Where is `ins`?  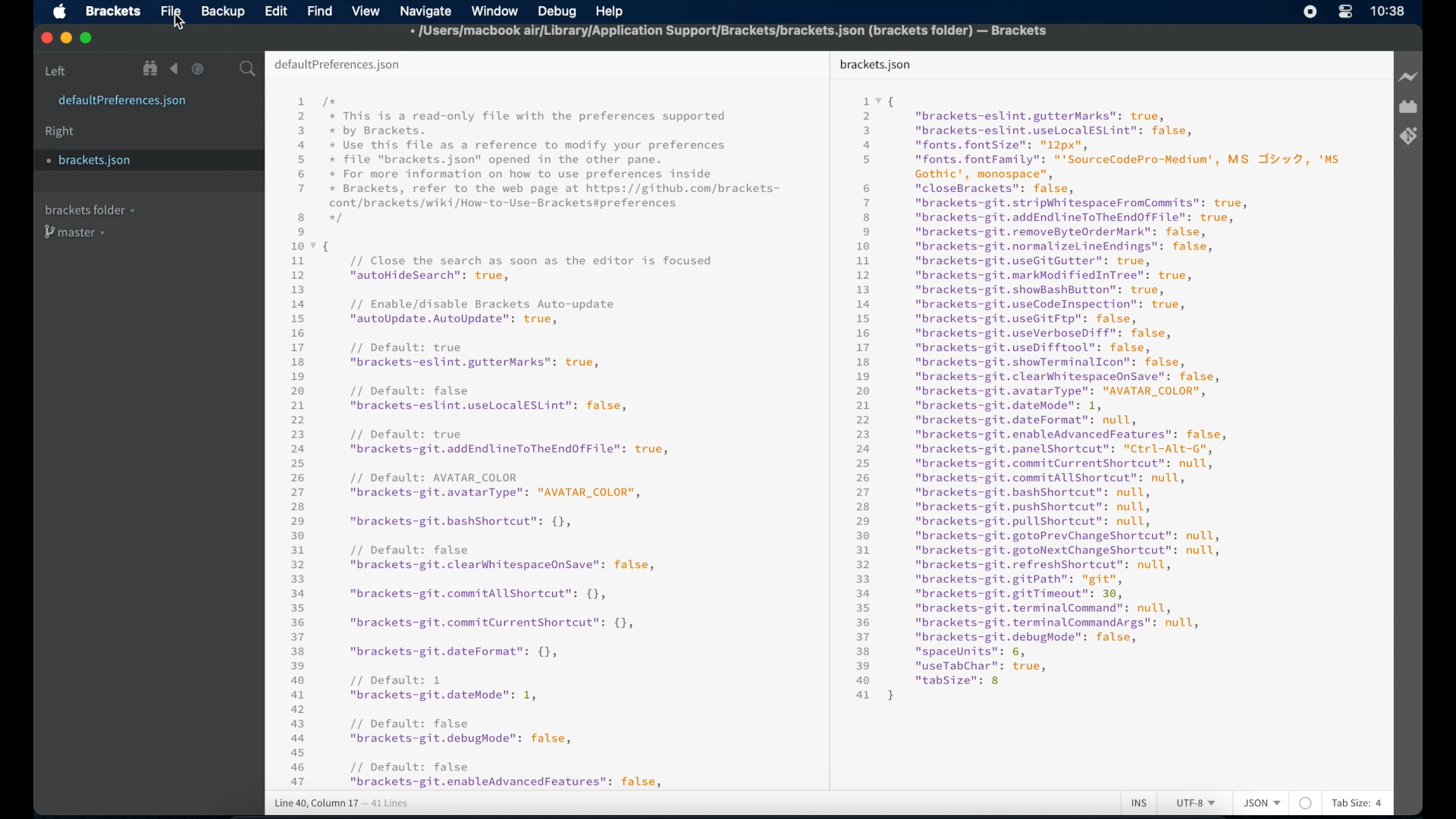
ins is located at coordinates (1139, 804).